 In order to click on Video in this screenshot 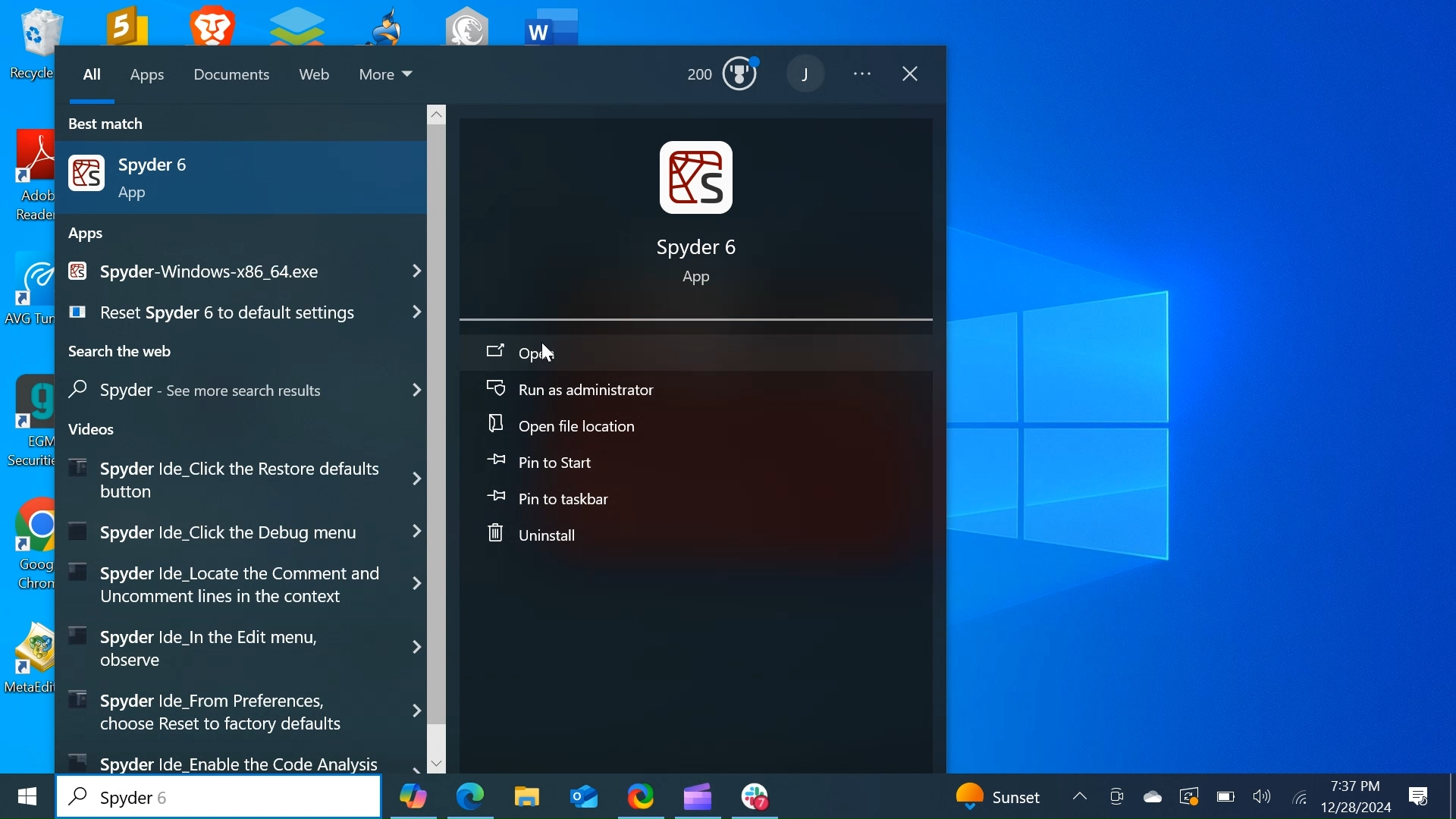, I will do `click(240, 761)`.